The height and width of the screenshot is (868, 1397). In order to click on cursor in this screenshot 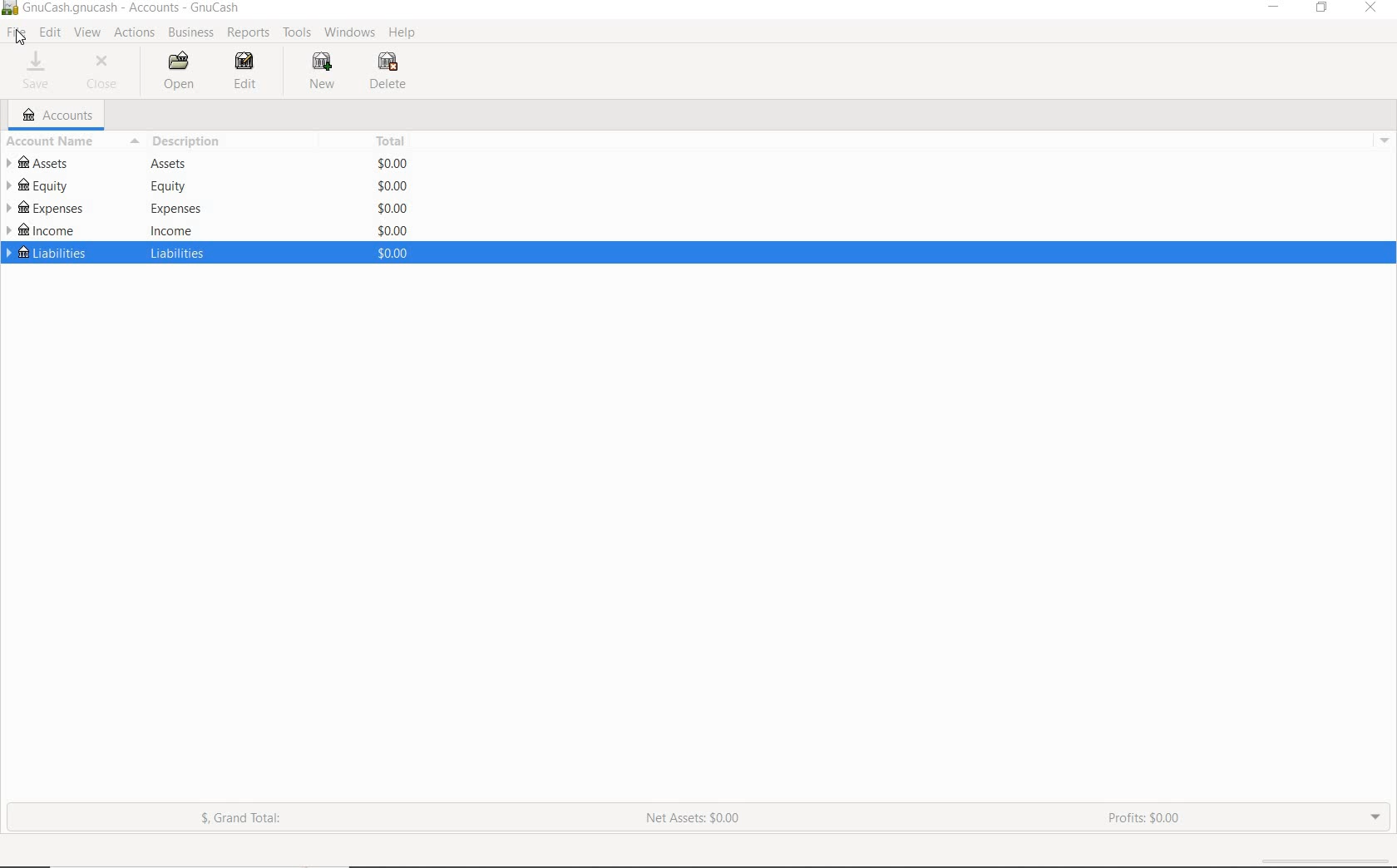, I will do `click(22, 37)`.